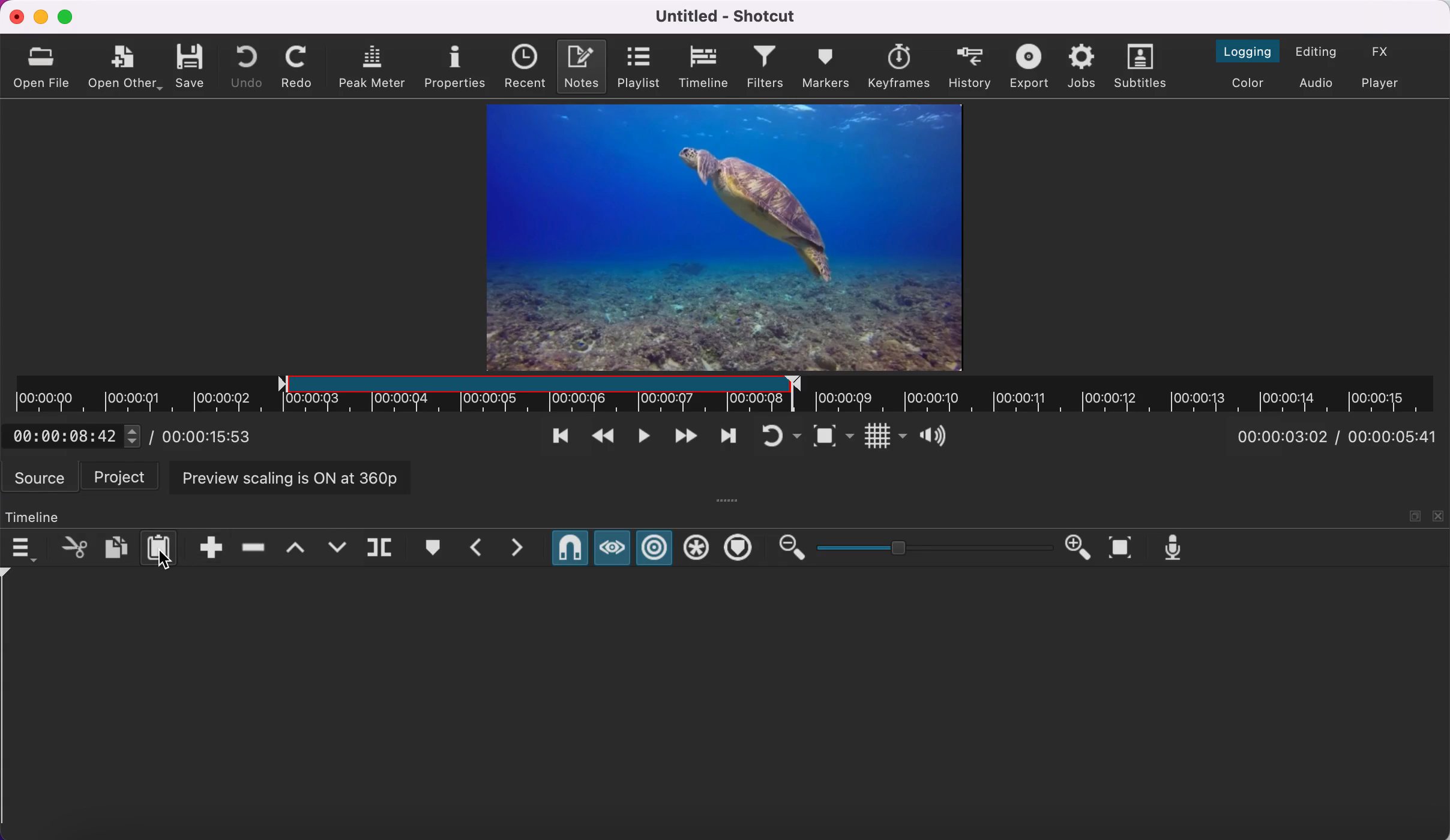 The image size is (1450, 840). What do you see at coordinates (933, 435) in the screenshot?
I see `` at bounding box center [933, 435].